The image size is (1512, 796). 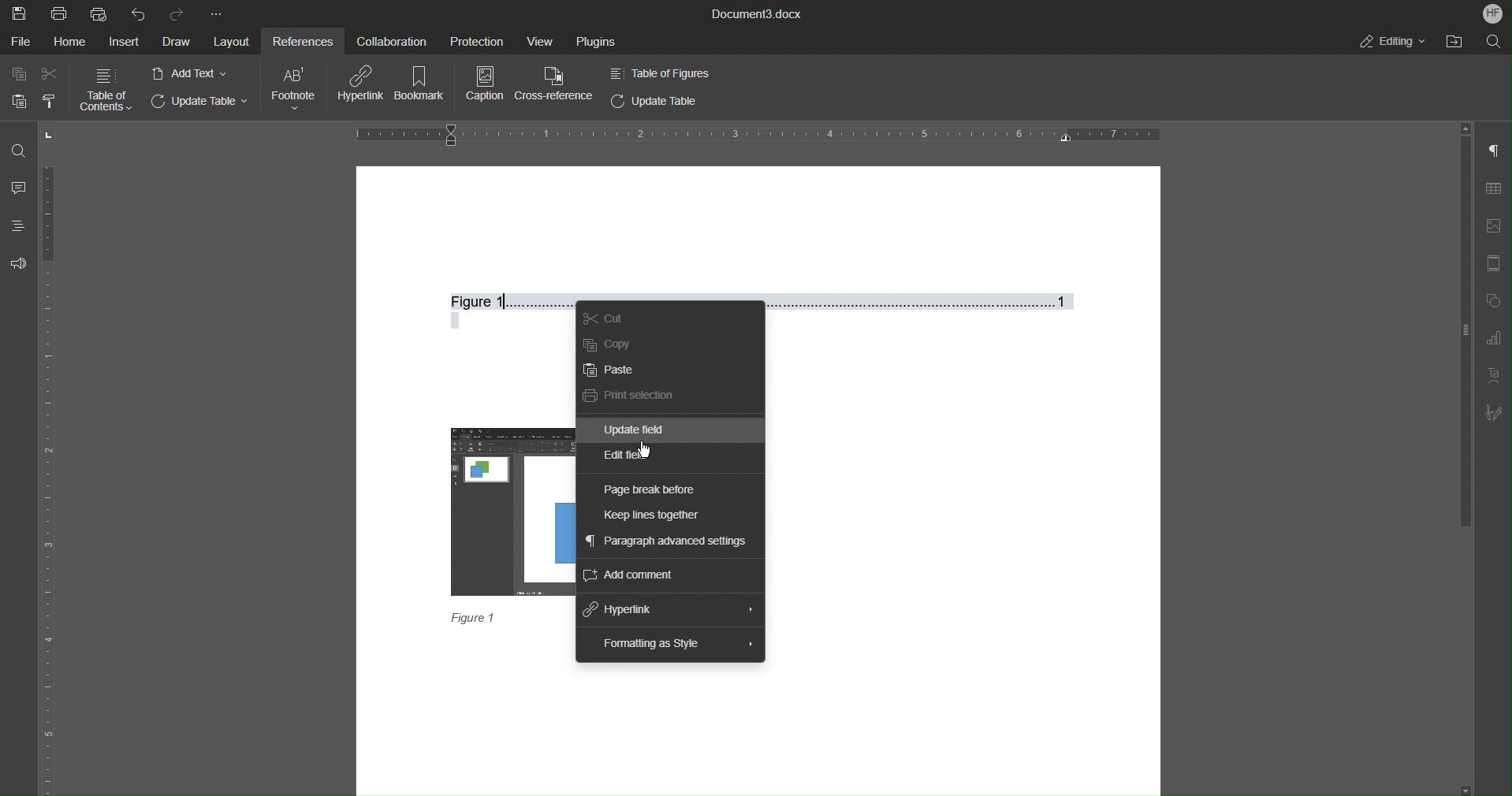 I want to click on Paragraph advanced settings, so click(x=665, y=541).